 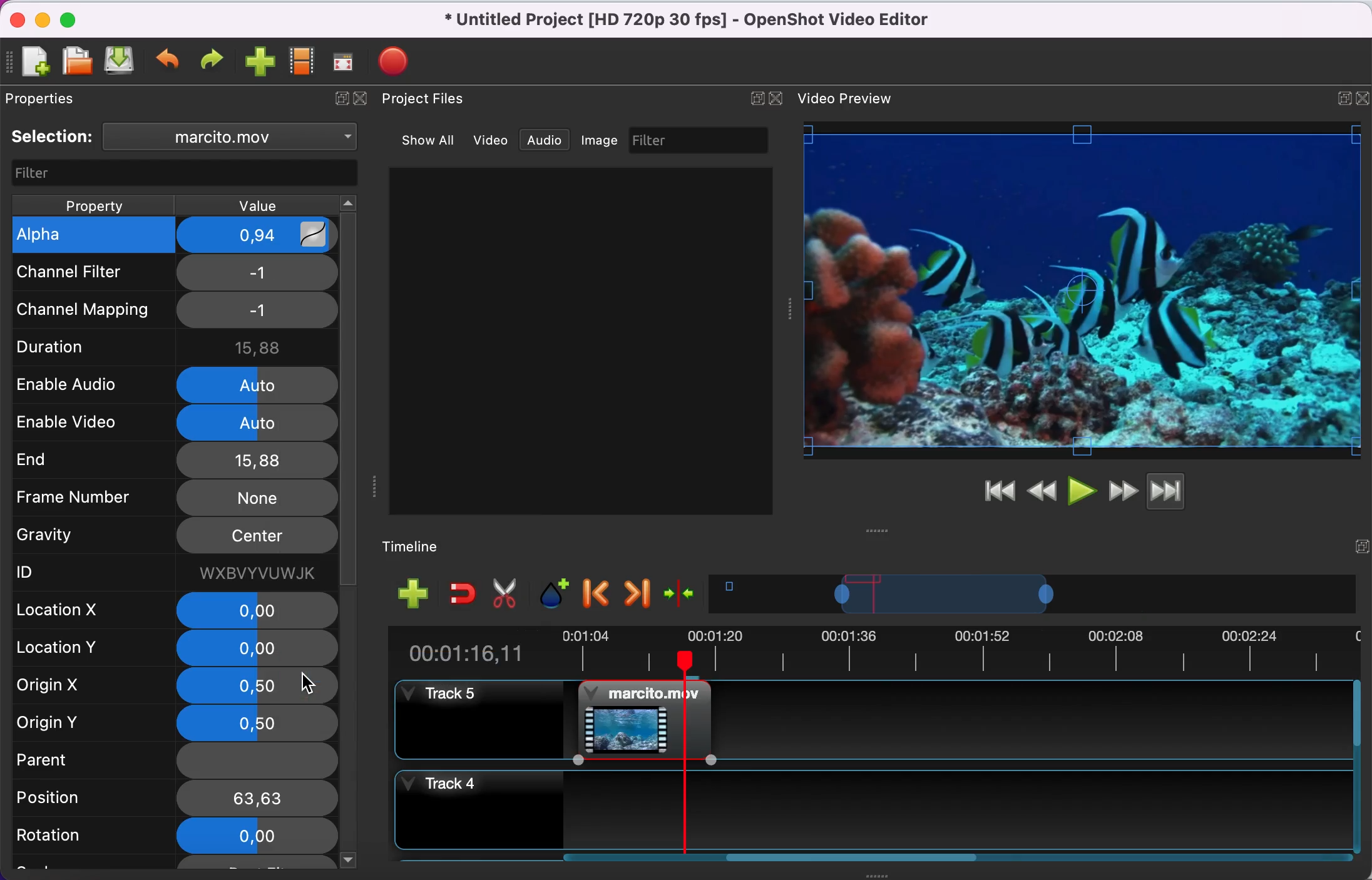 I want to click on move up, so click(x=346, y=202).